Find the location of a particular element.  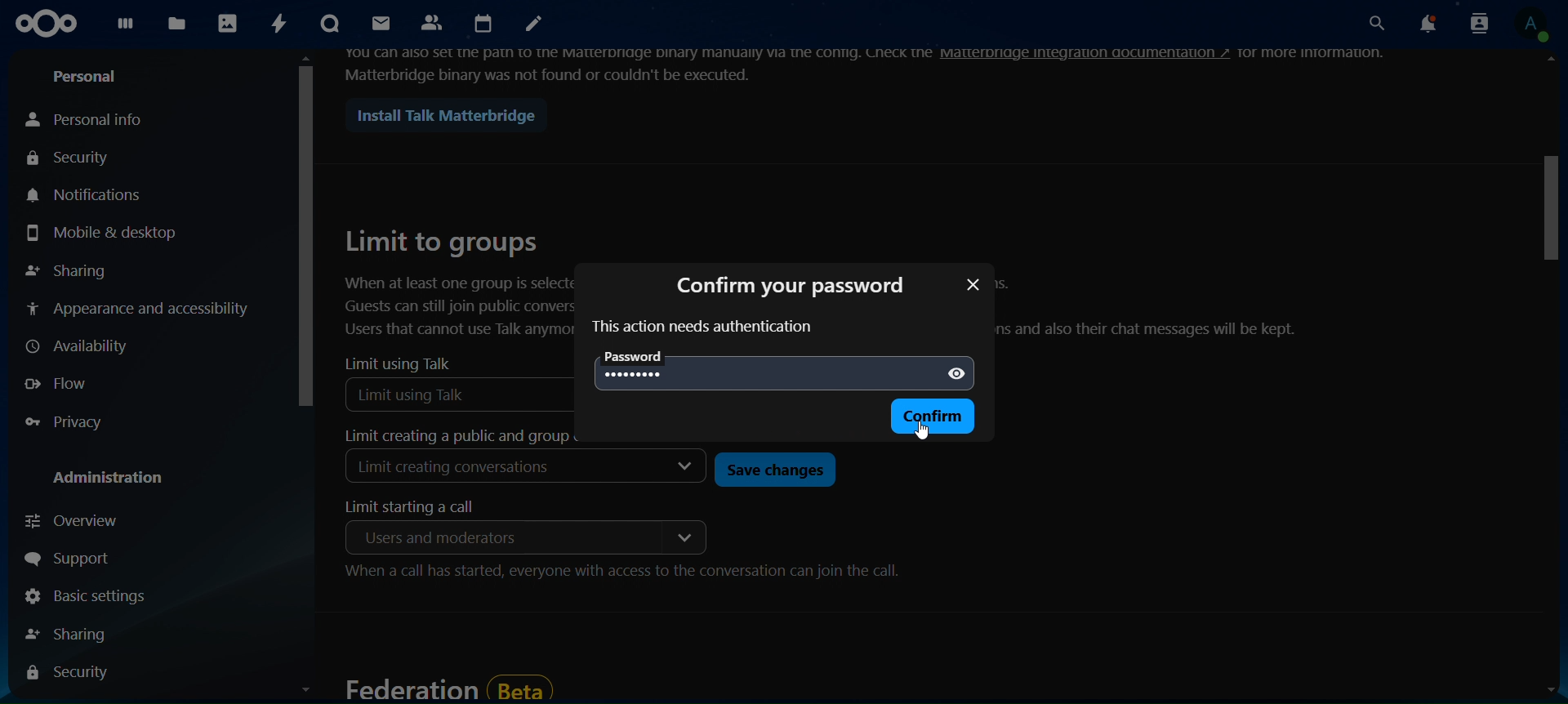

search contacts is located at coordinates (1474, 23).